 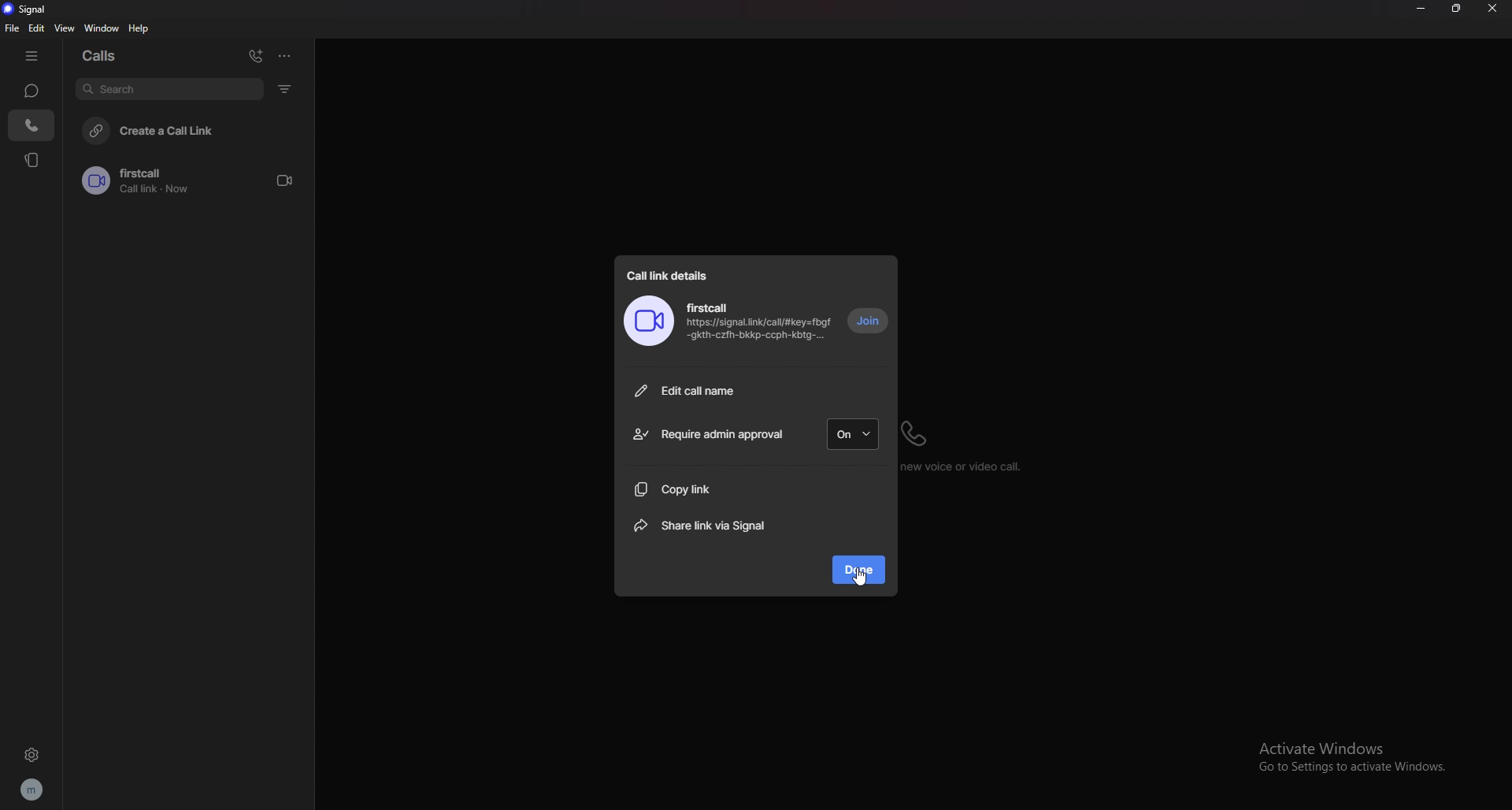 I want to click on cursor, so click(x=858, y=578).